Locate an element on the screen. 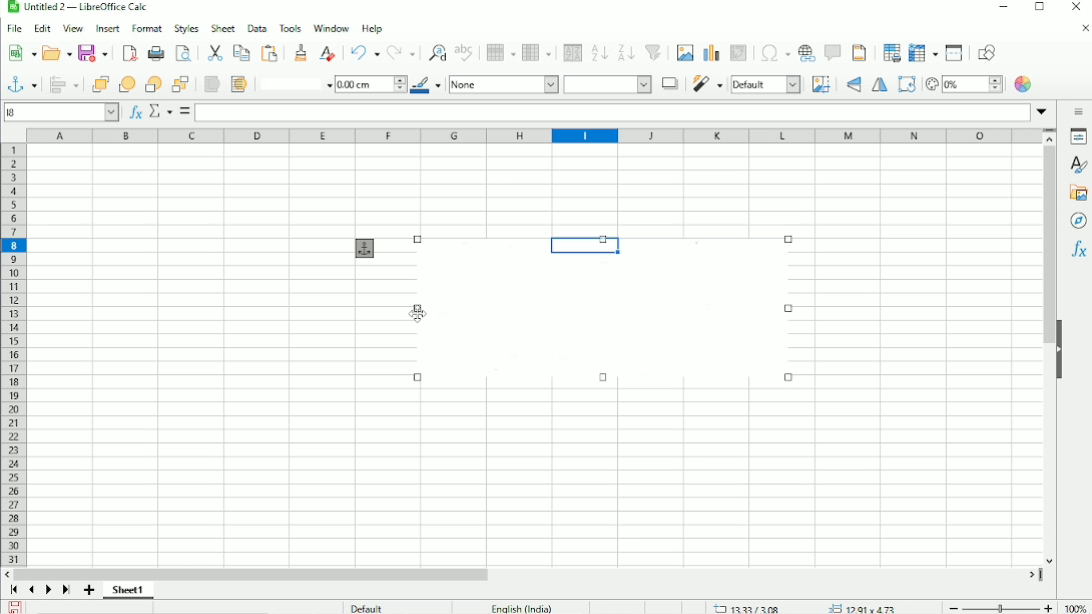  View is located at coordinates (73, 28).